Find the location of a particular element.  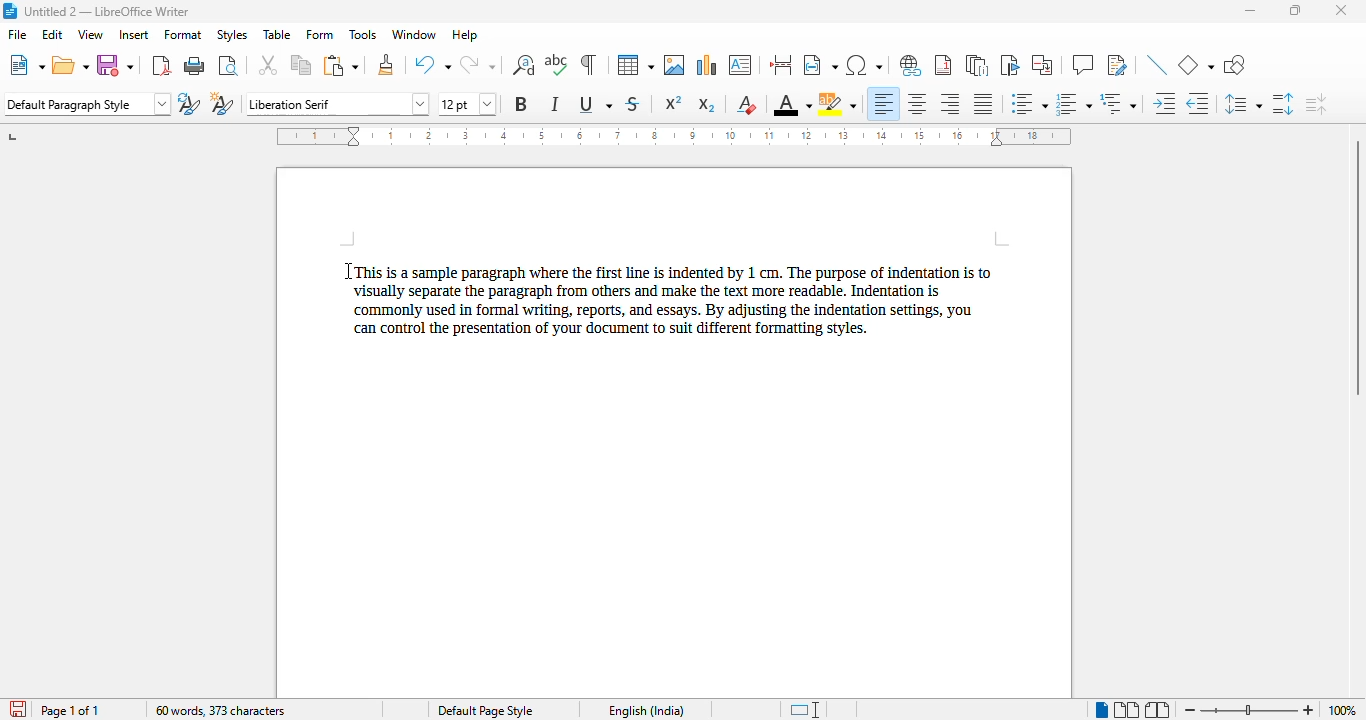

window is located at coordinates (414, 35).